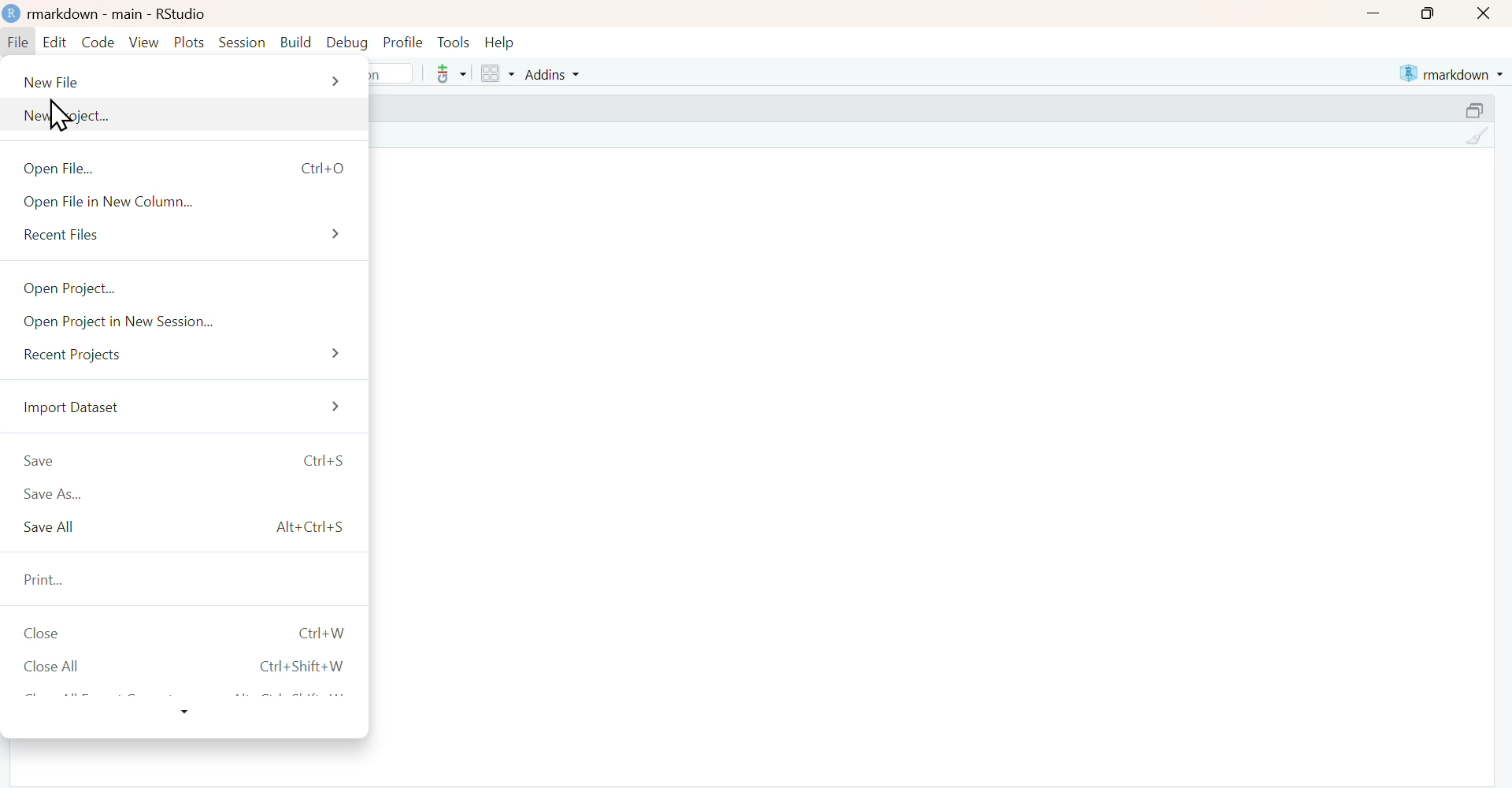 The width and height of the screenshot is (1512, 788). What do you see at coordinates (449, 73) in the screenshot?
I see `git commit` at bounding box center [449, 73].